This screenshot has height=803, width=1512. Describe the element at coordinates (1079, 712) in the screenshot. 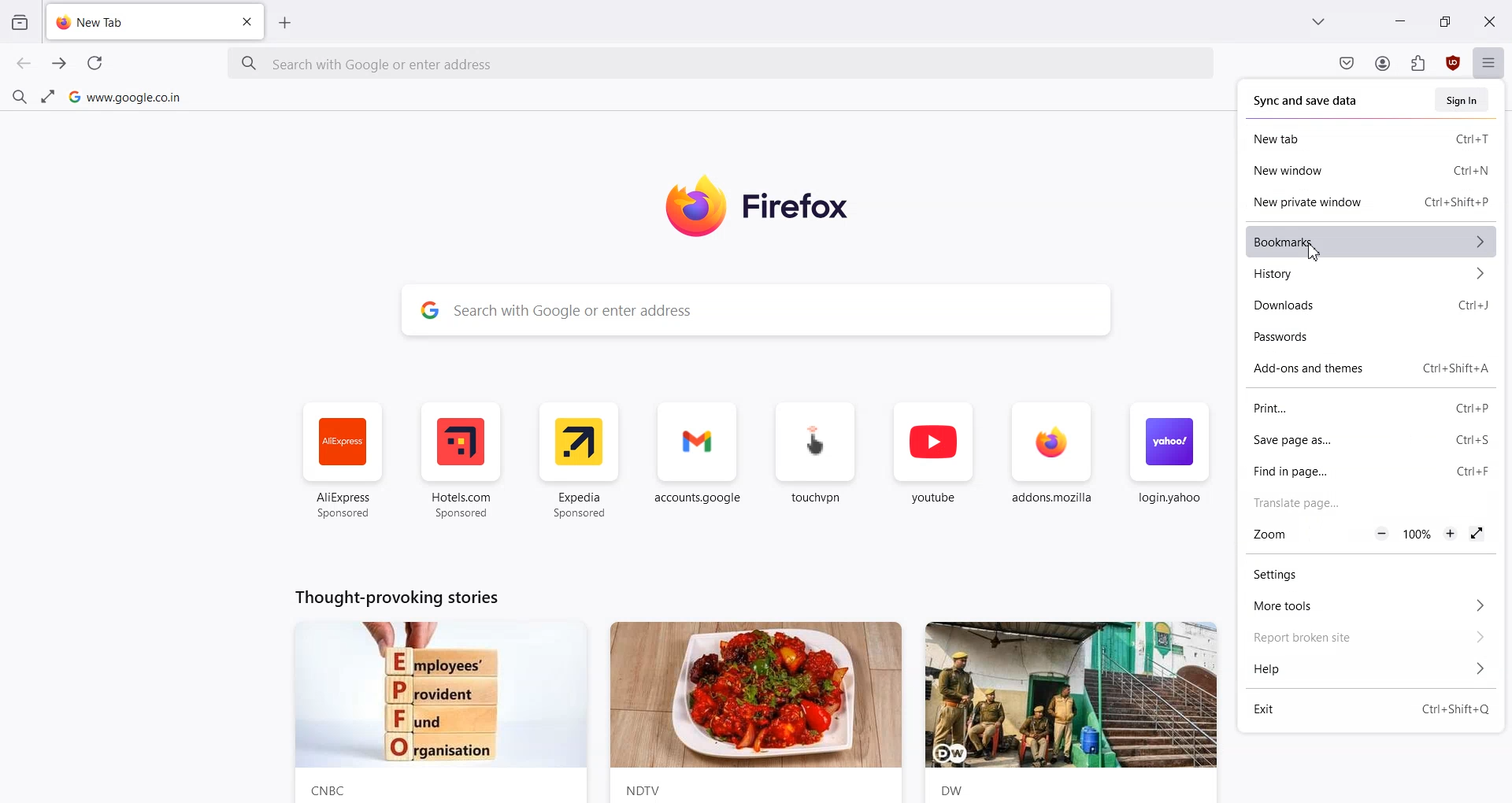

I see `News` at that location.